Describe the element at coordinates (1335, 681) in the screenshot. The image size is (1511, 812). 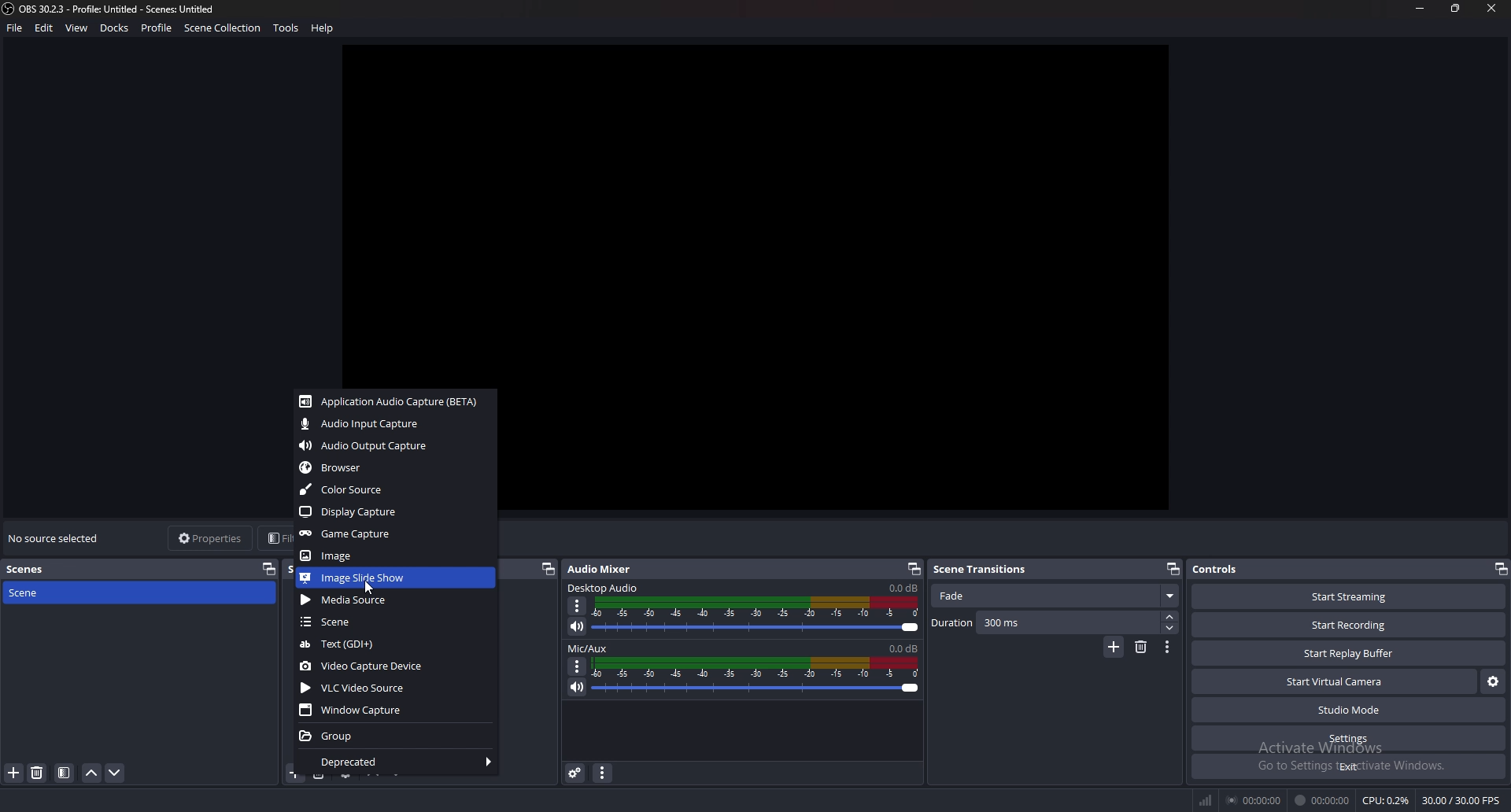
I see `start virtual camera` at that location.